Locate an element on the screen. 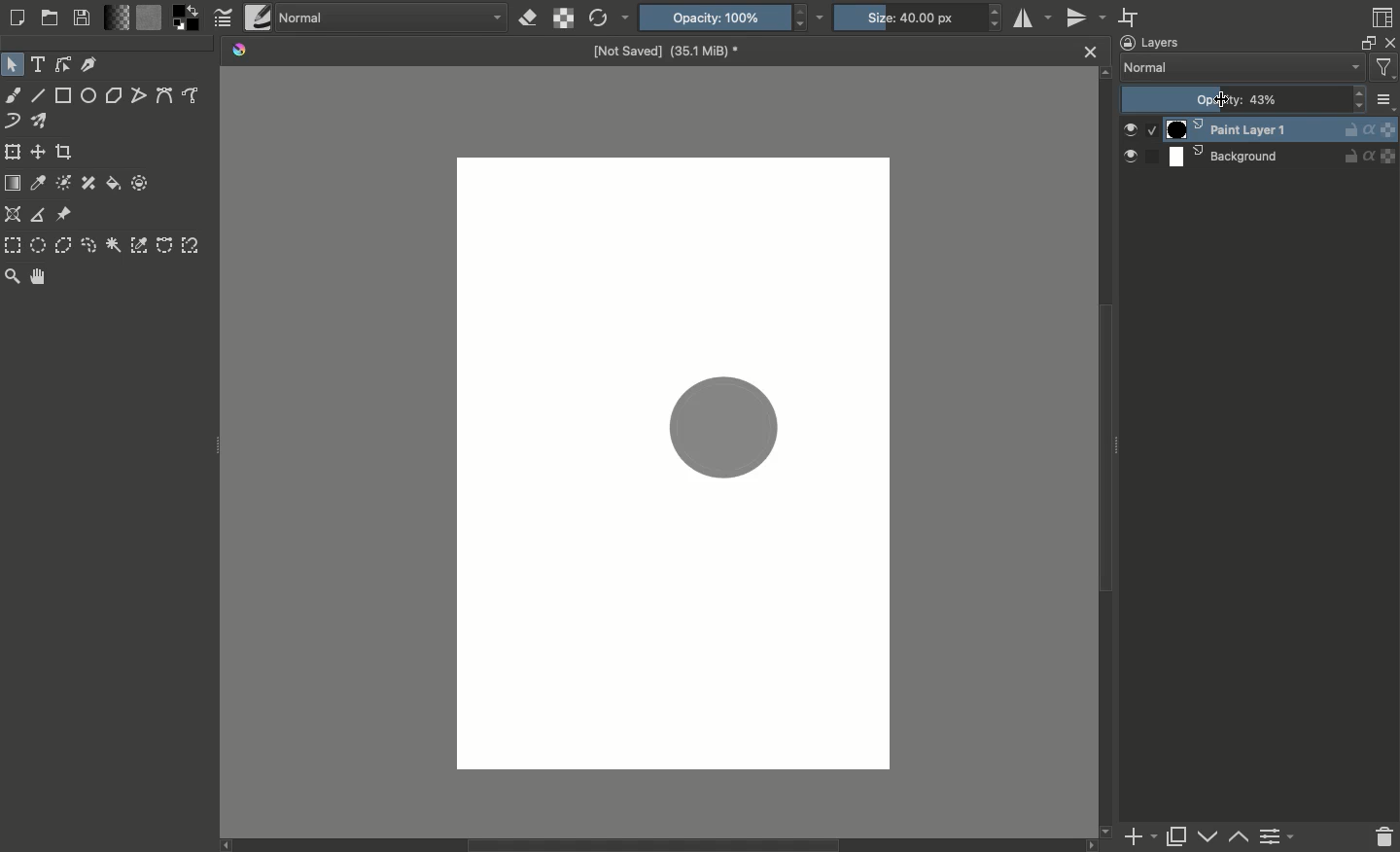 This screenshot has width=1400, height=852. Selected is located at coordinates (1152, 132).